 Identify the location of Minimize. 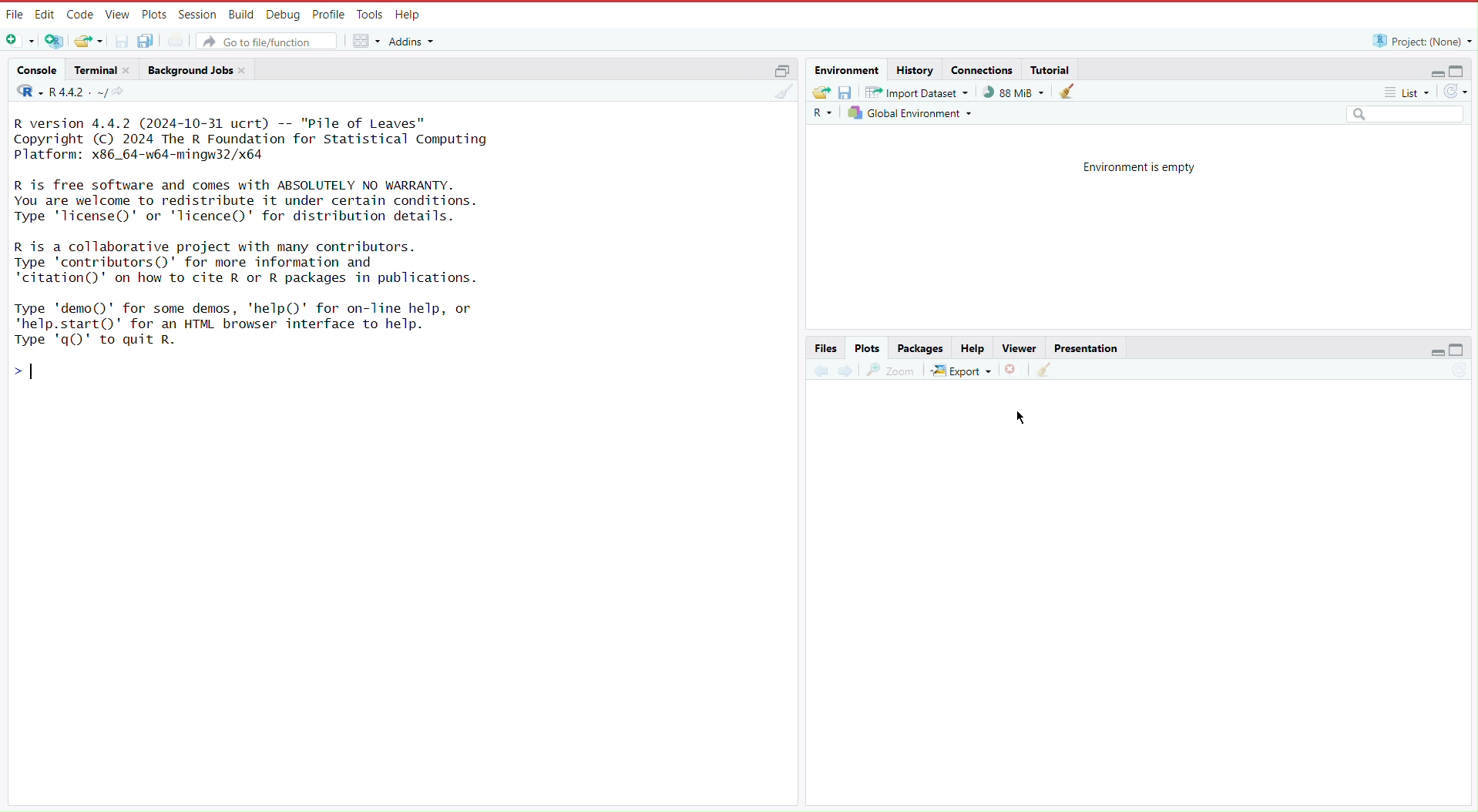
(1431, 73).